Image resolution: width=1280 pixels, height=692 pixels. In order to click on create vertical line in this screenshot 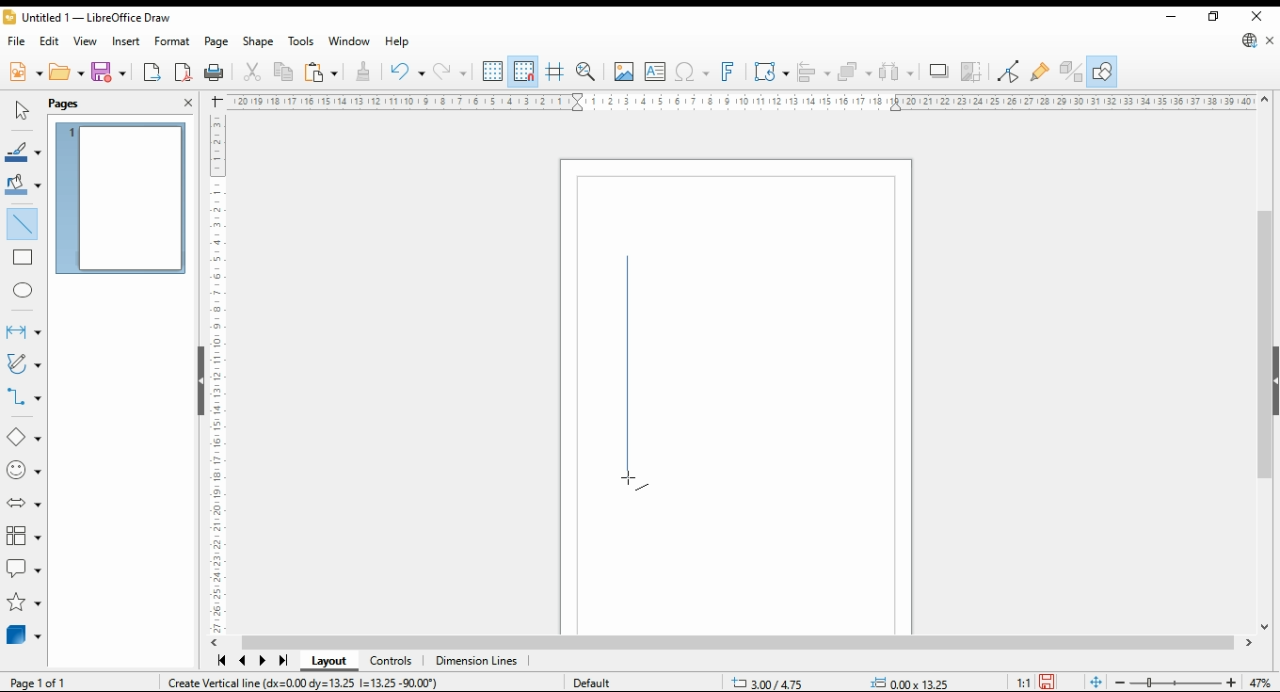, I will do `click(314, 684)`.